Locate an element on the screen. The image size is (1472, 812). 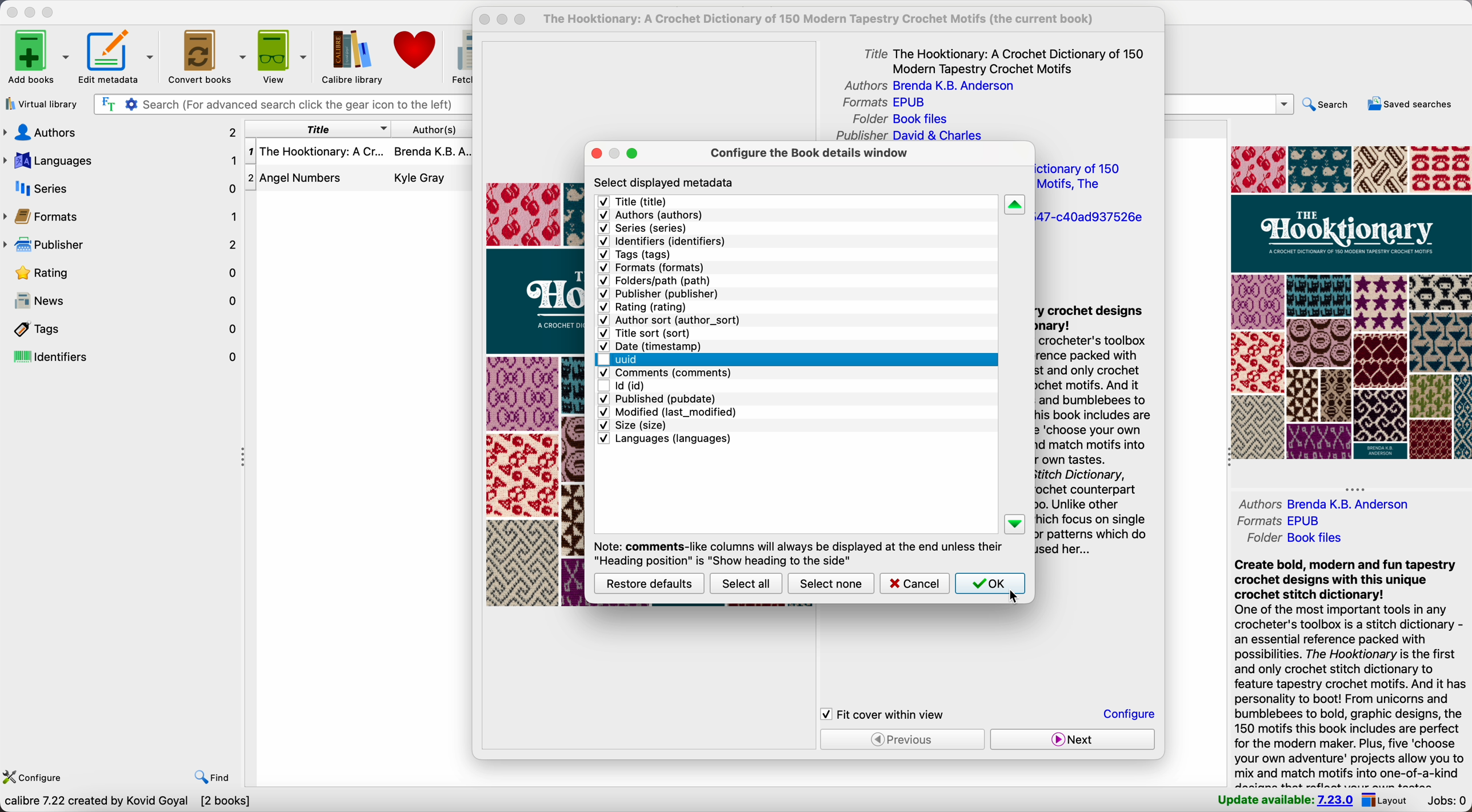
maximize is located at coordinates (520, 21).